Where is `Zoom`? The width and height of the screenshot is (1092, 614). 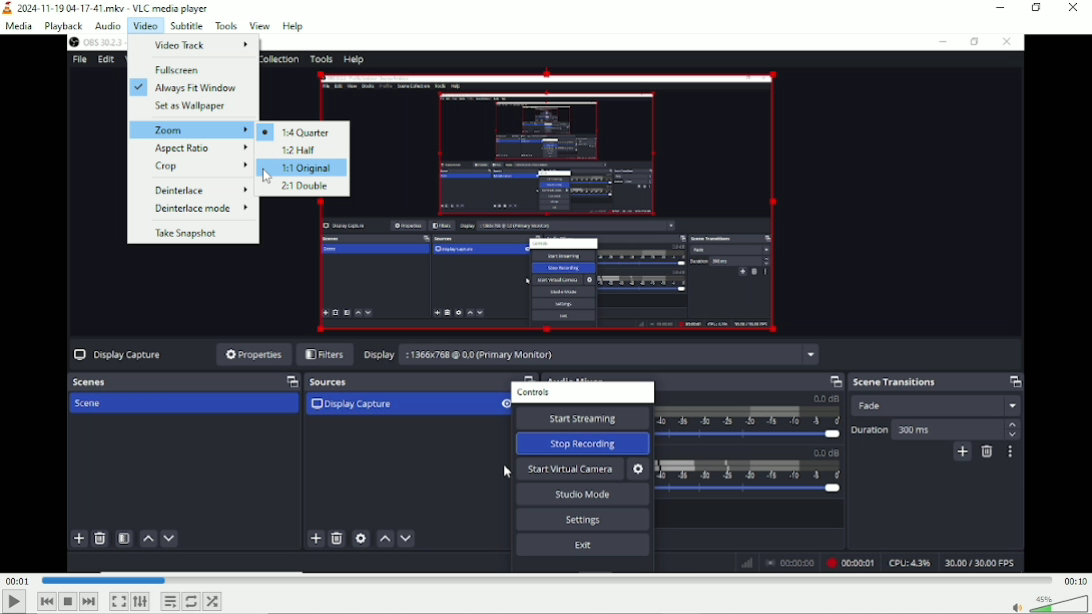 Zoom is located at coordinates (191, 130).